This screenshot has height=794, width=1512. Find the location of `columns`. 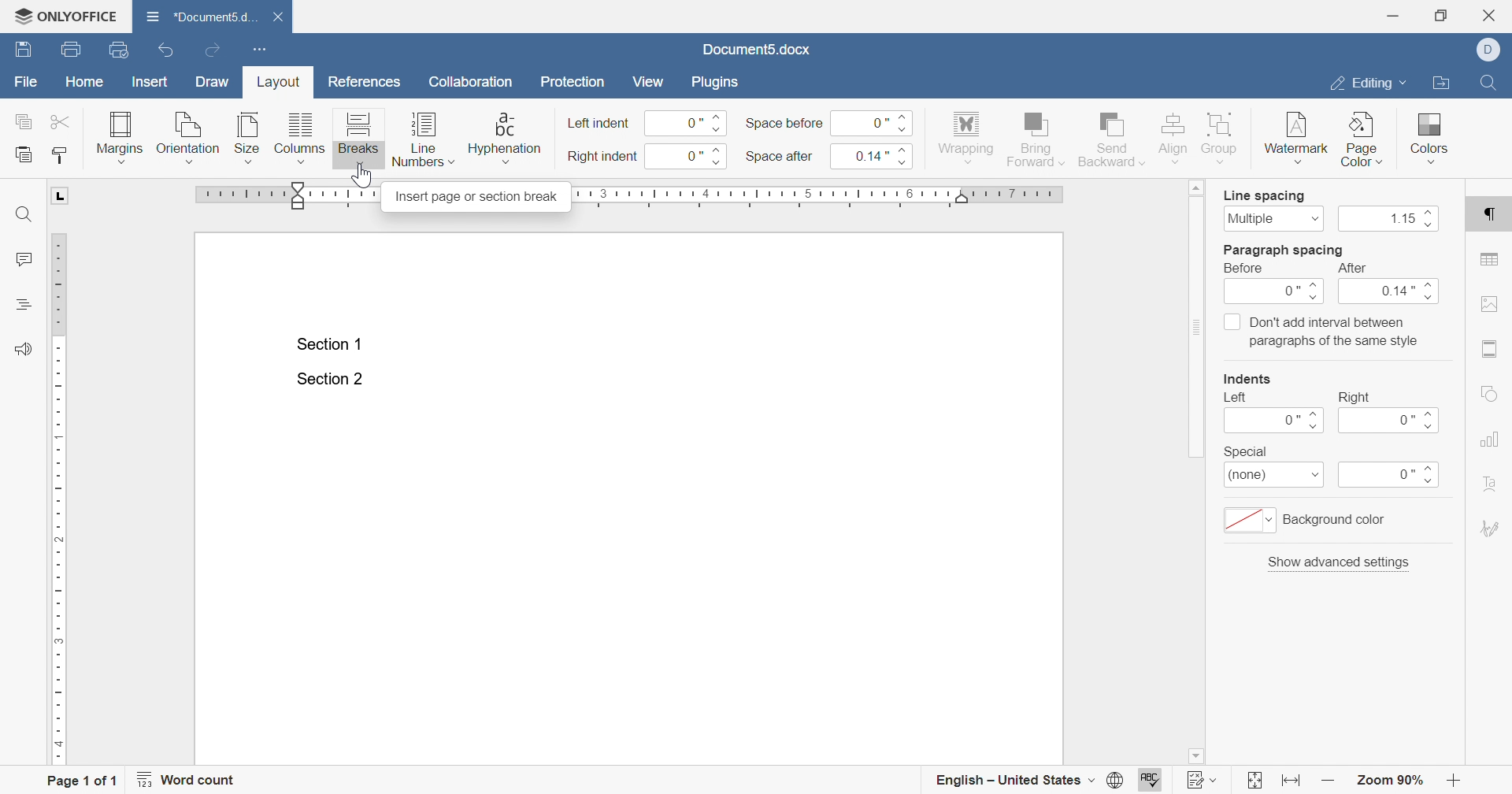

columns is located at coordinates (298, 137).